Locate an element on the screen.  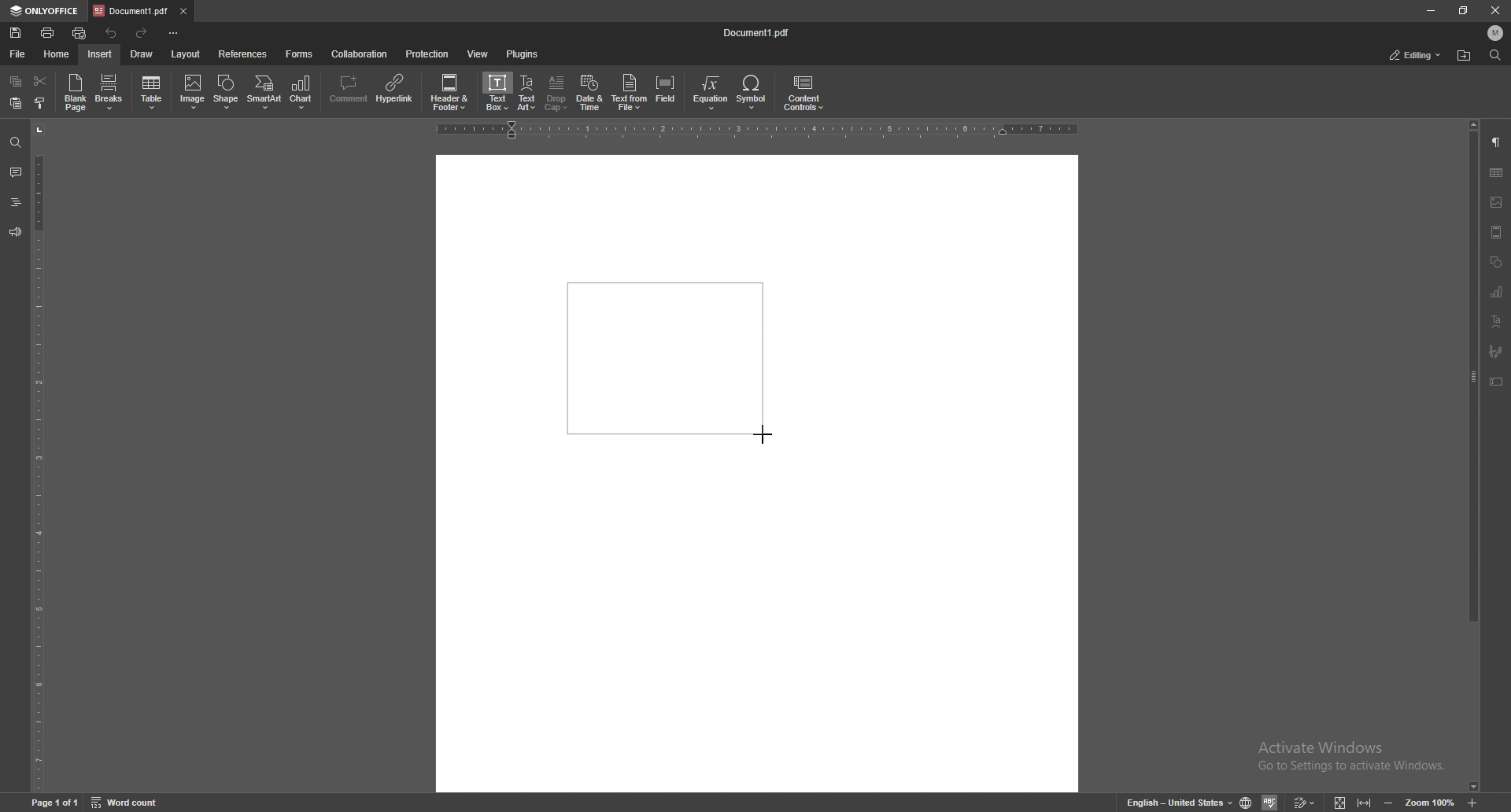
close tab is located at coordinates (183, 10).